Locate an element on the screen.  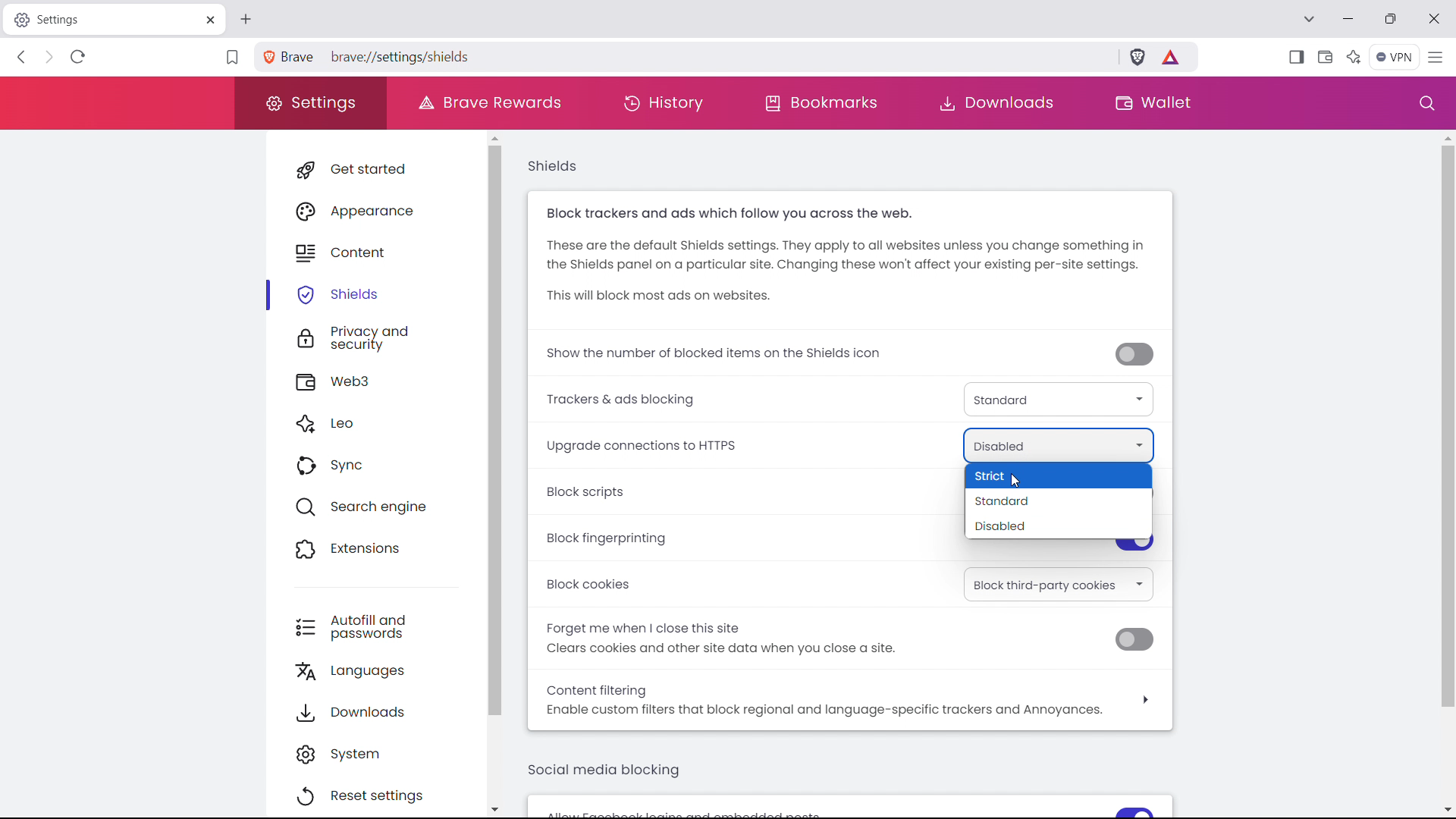
trackers & ads blocking type is located at coordinates (1058, 400).